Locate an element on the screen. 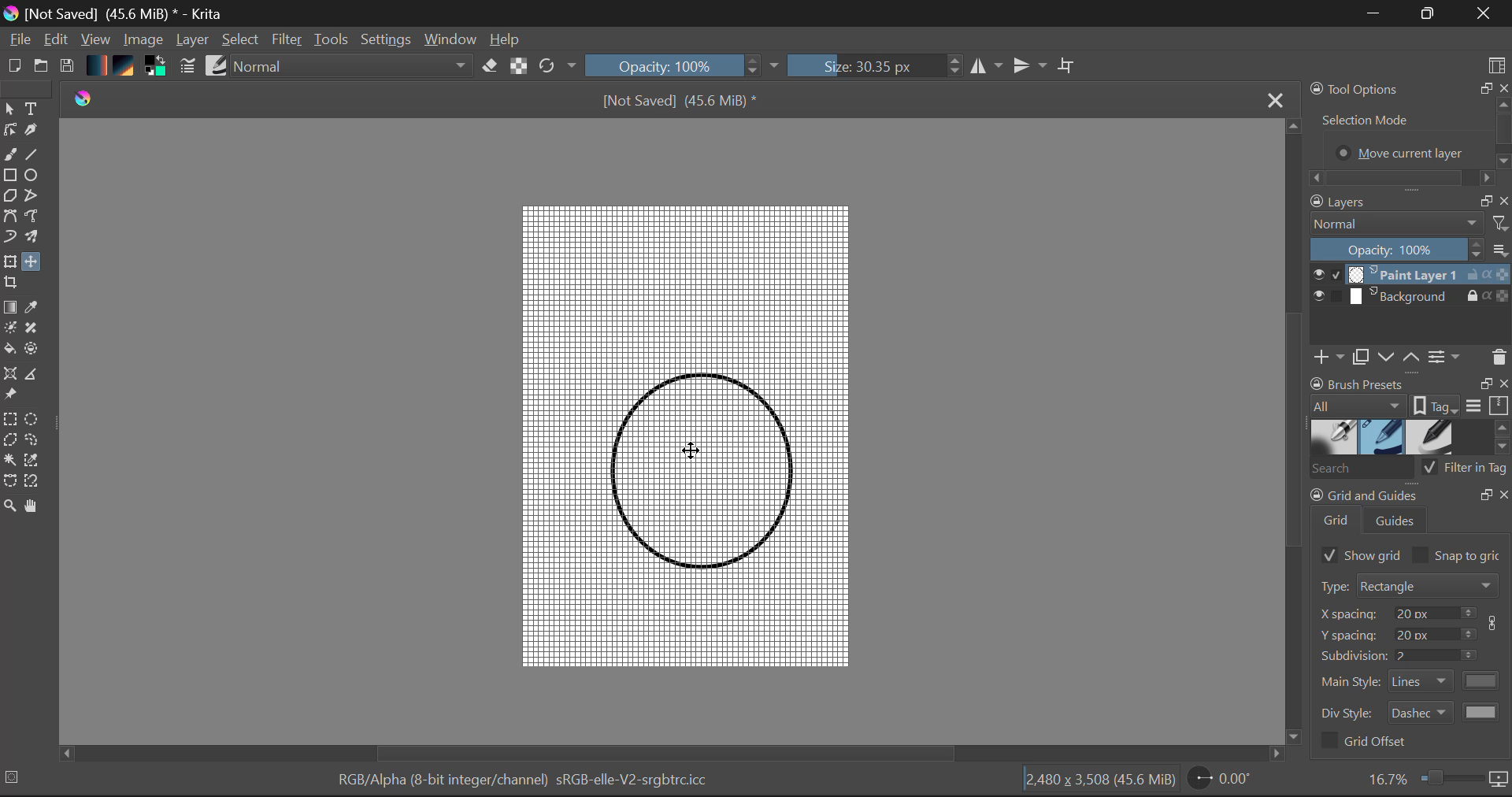 Image resolution: width=1512 pixels, height=797 pixels. Gradient is located at coordinates (98, 65).